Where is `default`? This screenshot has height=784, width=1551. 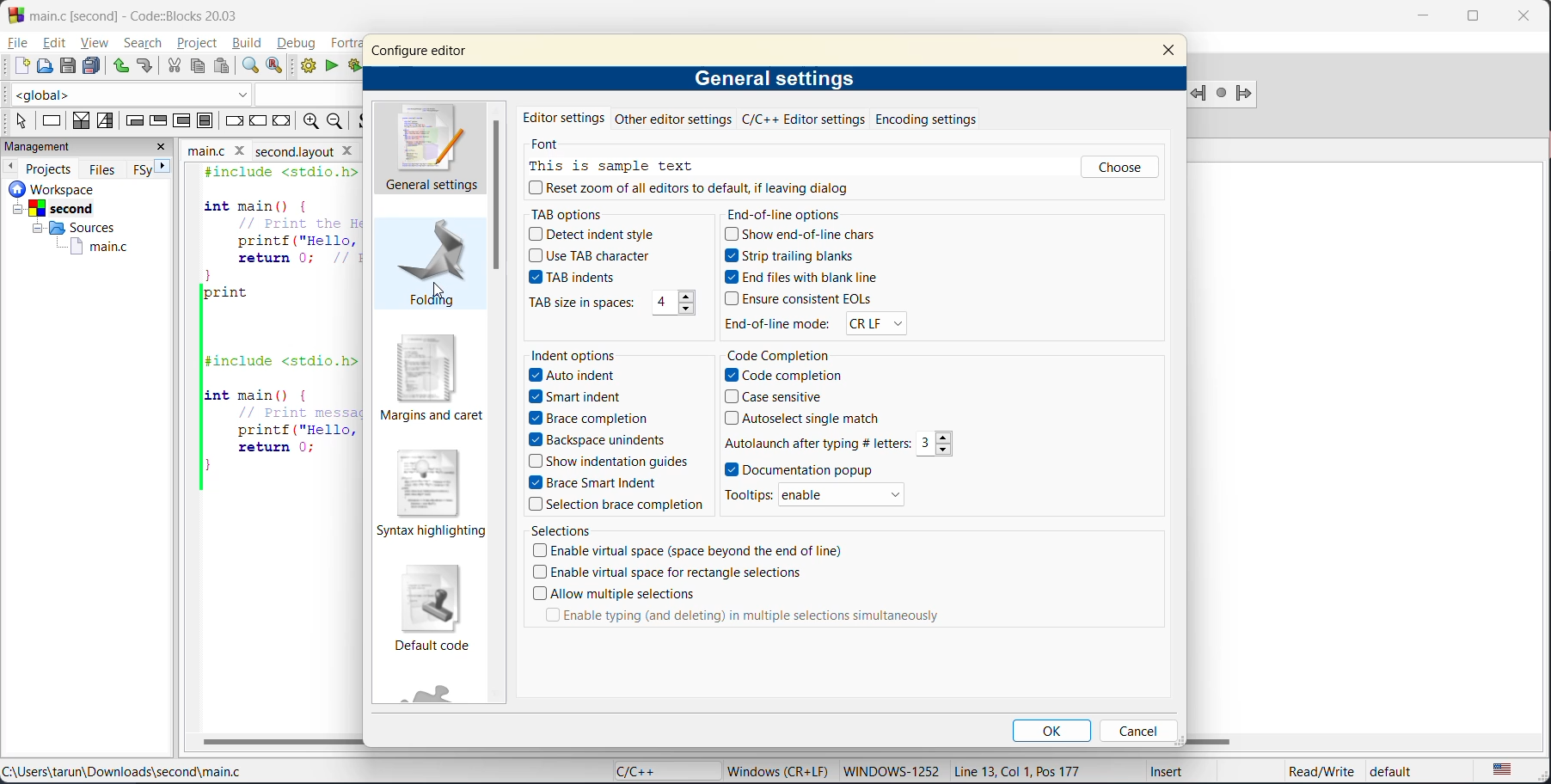
default is located at coordinates (1407, 772).